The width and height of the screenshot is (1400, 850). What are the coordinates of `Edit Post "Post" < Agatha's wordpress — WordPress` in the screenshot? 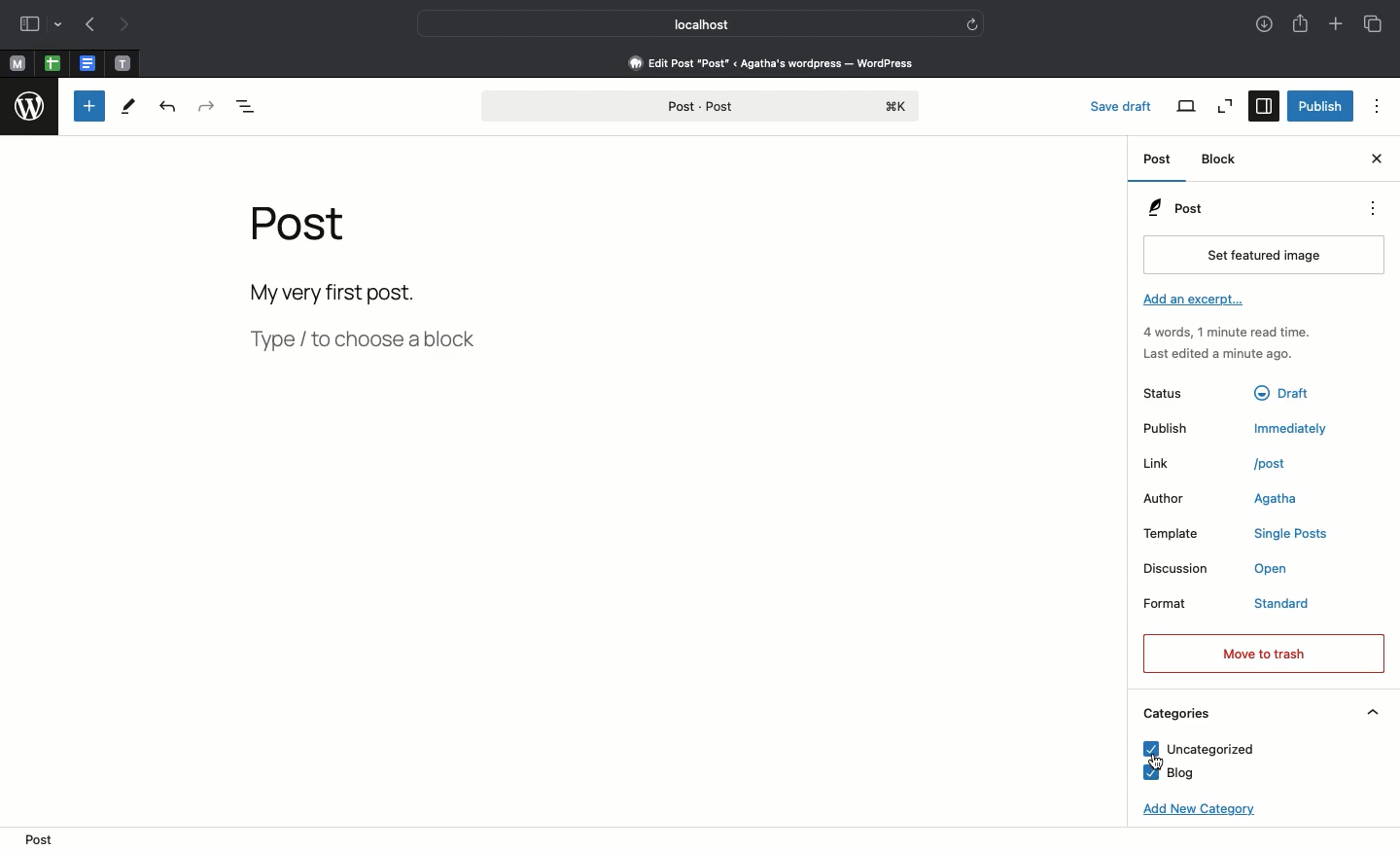 It's located at (771, 62).